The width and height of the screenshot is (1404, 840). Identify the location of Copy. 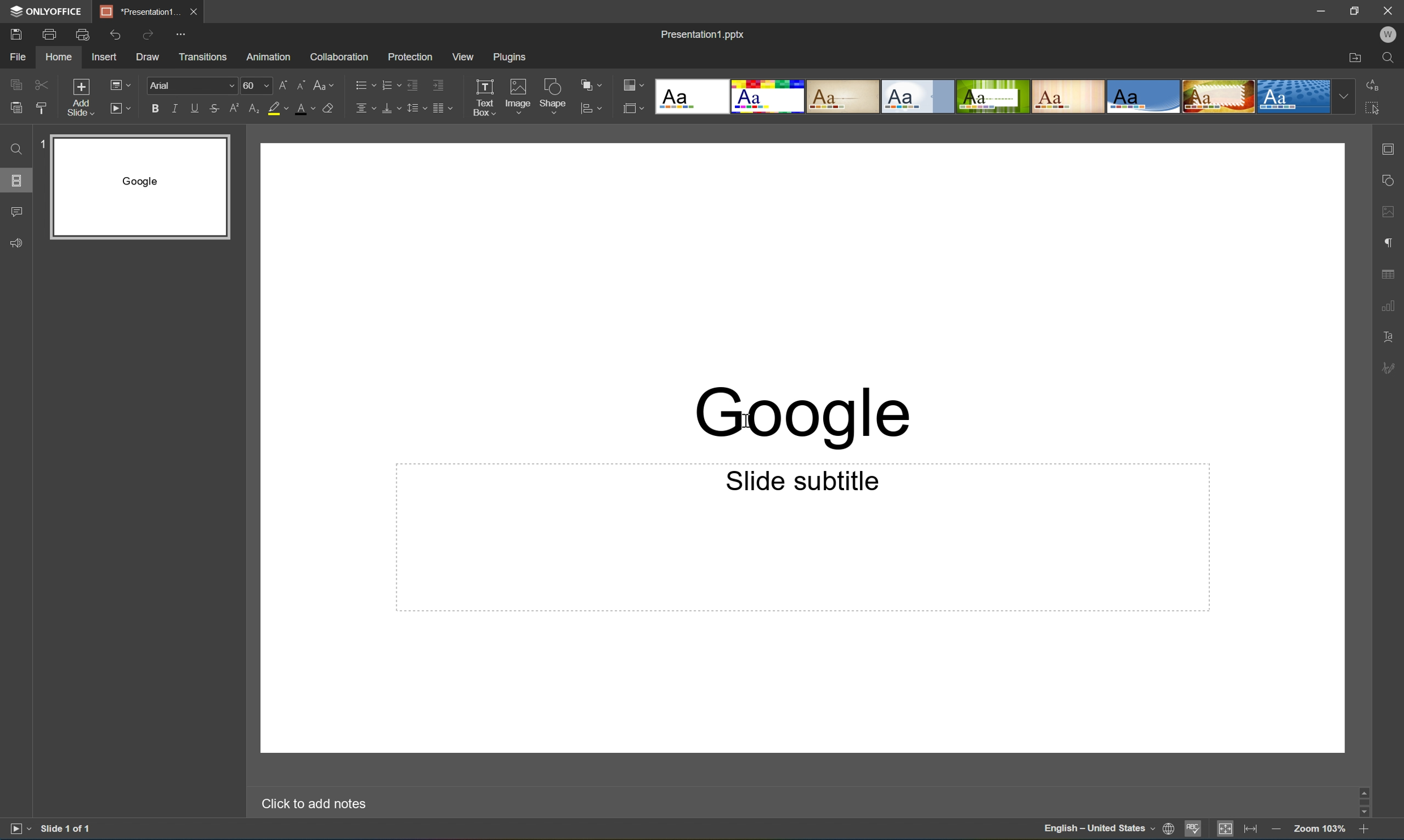
(15, 83).